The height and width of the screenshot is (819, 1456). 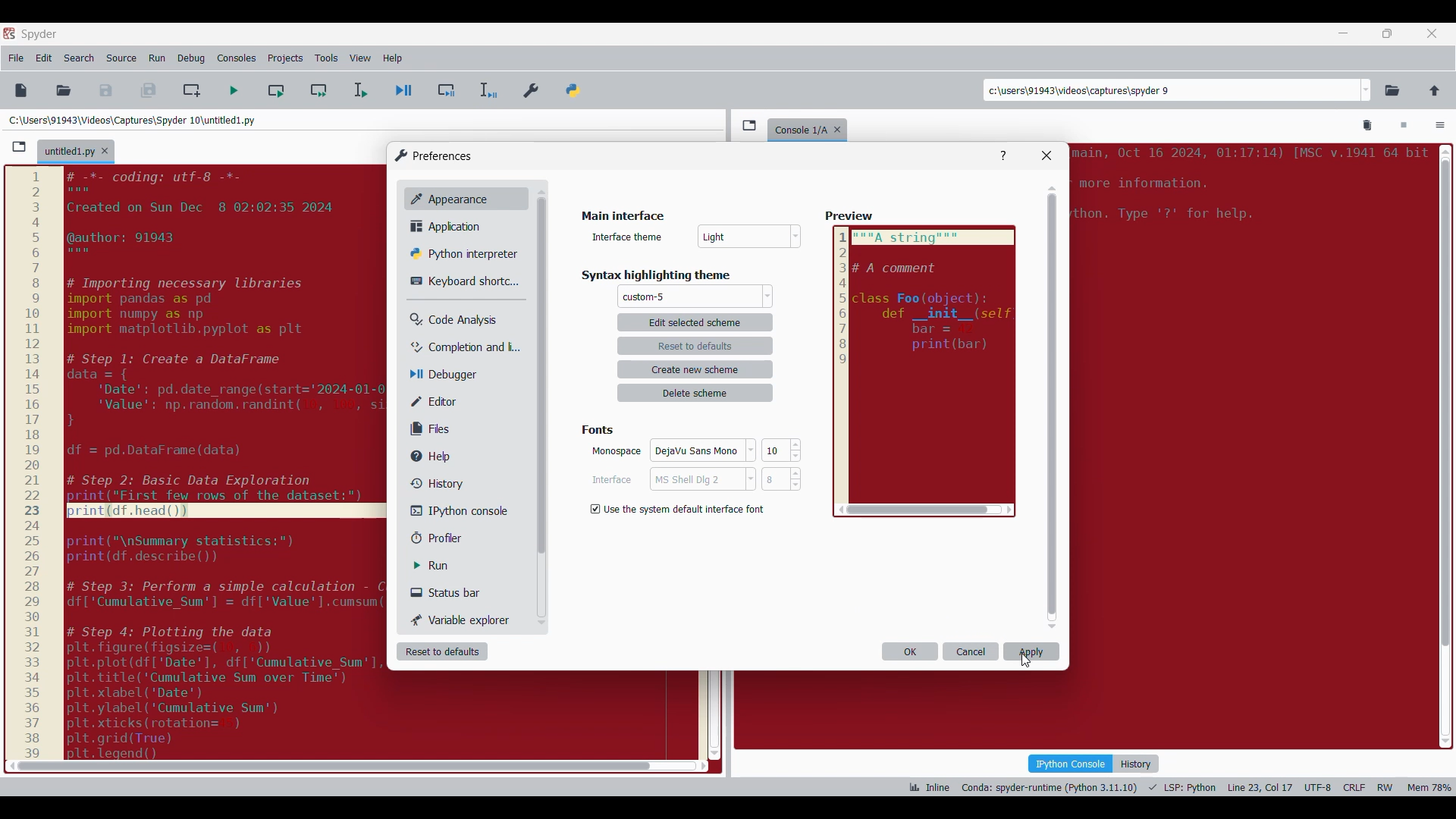 I want to click on , so click(x=851, y=217).